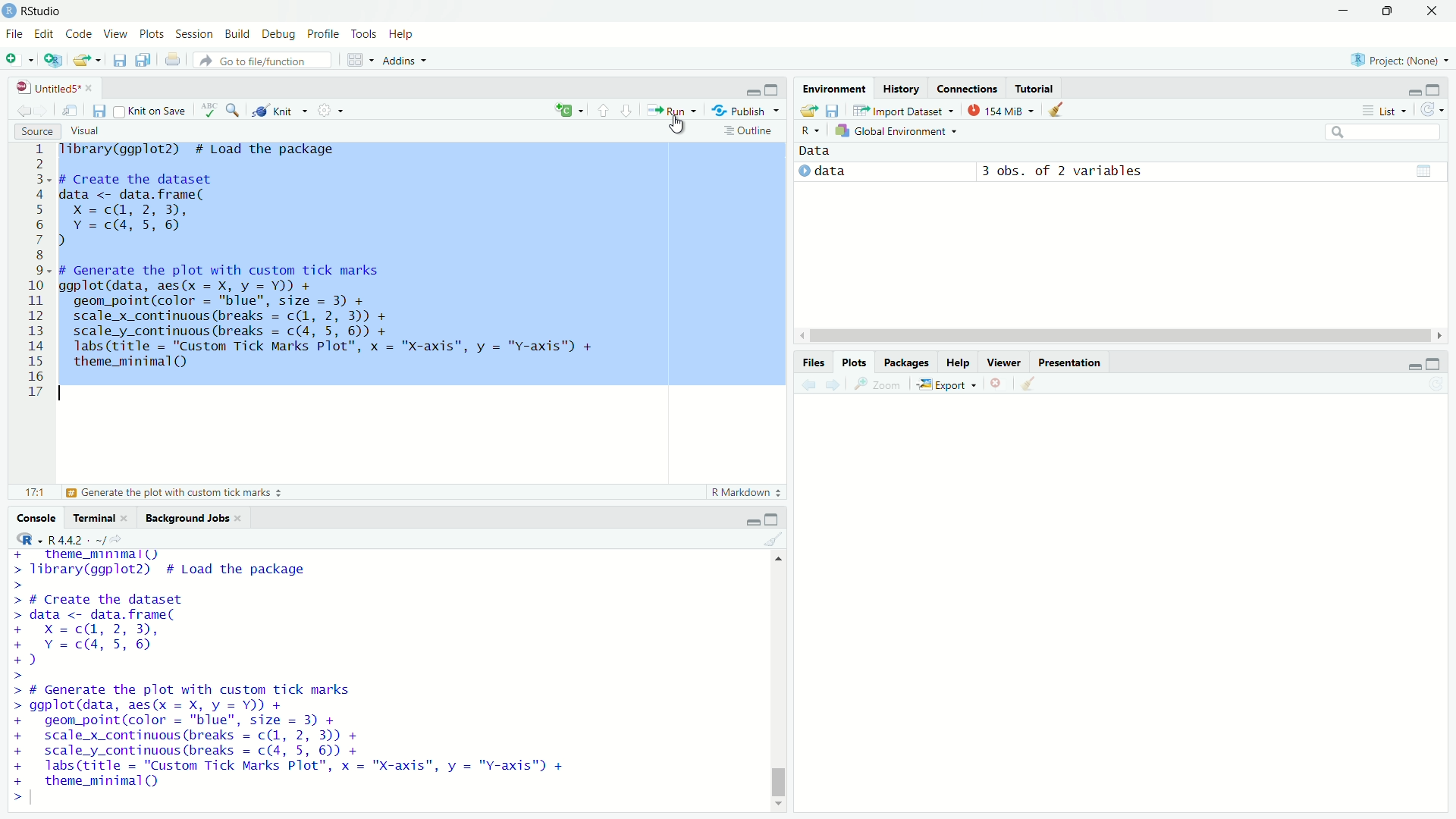 The height and width of the screenshot is (819, 1456). Describe the element at coordinates (1409, 88) in the screenshot. I see `minimize` at that location.